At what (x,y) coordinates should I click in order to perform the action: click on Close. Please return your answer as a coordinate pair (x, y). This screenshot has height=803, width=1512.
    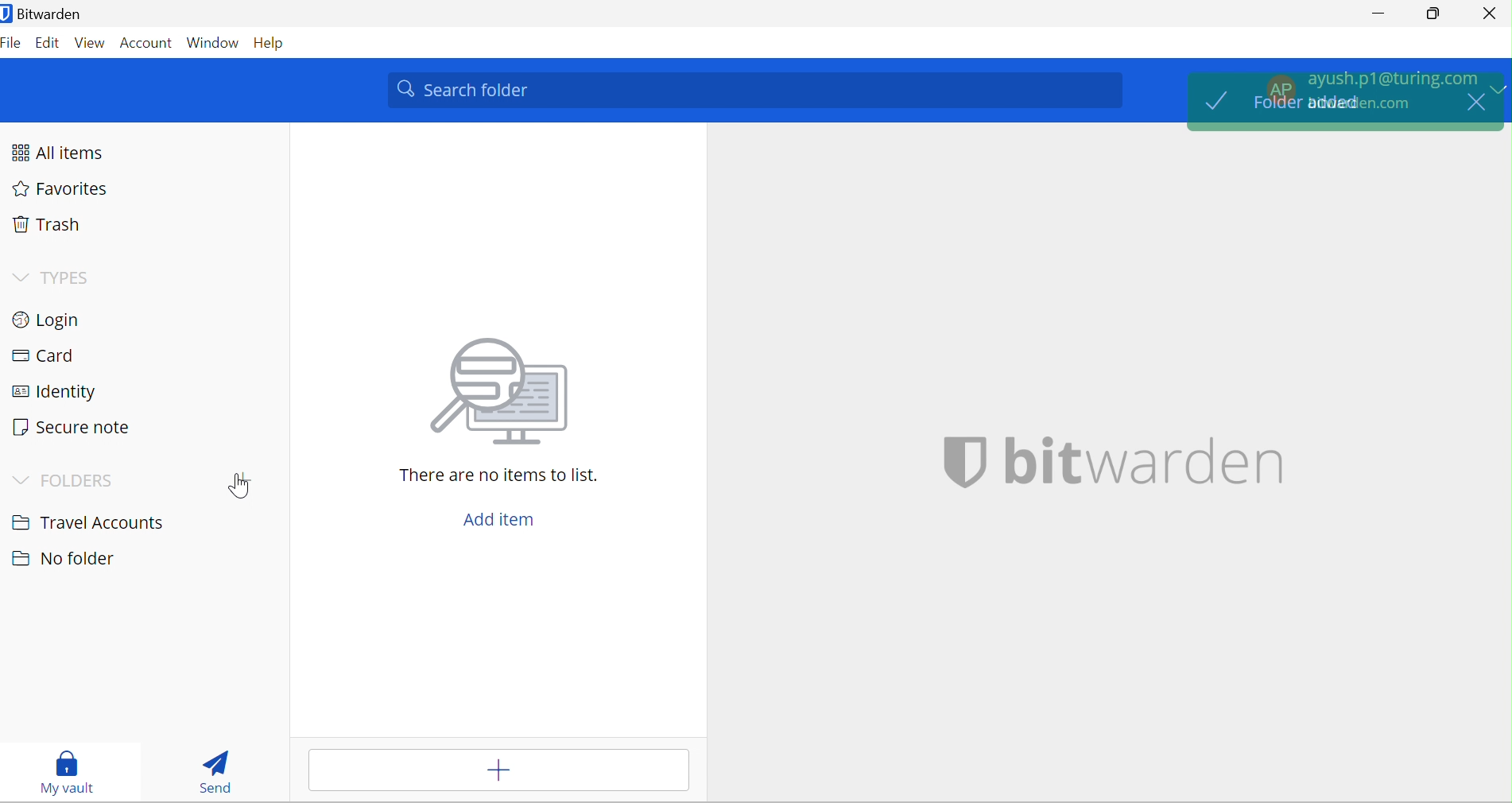
    Looking at the image, I should click on (1491, 14).